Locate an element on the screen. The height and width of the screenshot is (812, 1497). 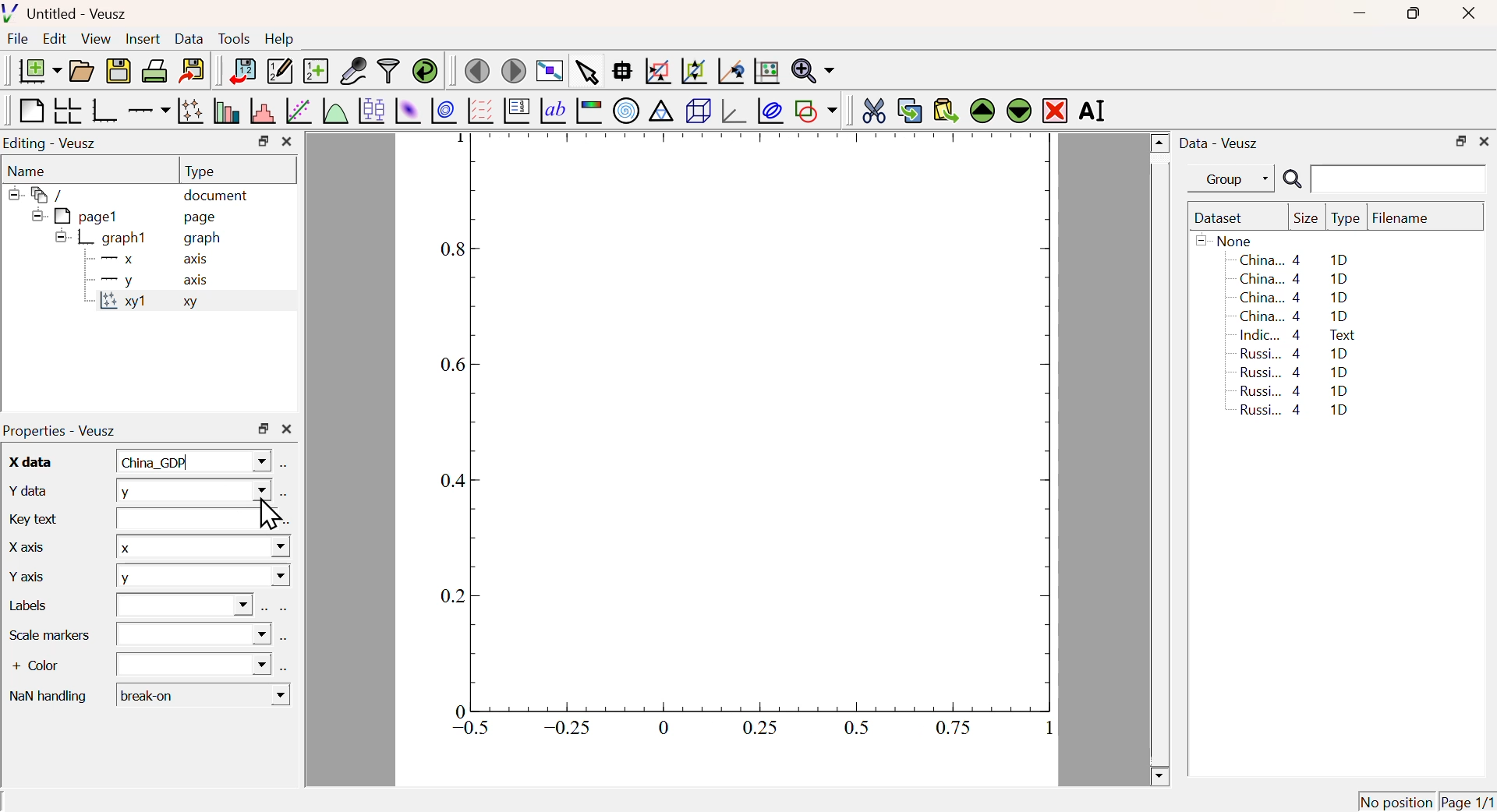
Nan handling is located at coordinates (48, 694).